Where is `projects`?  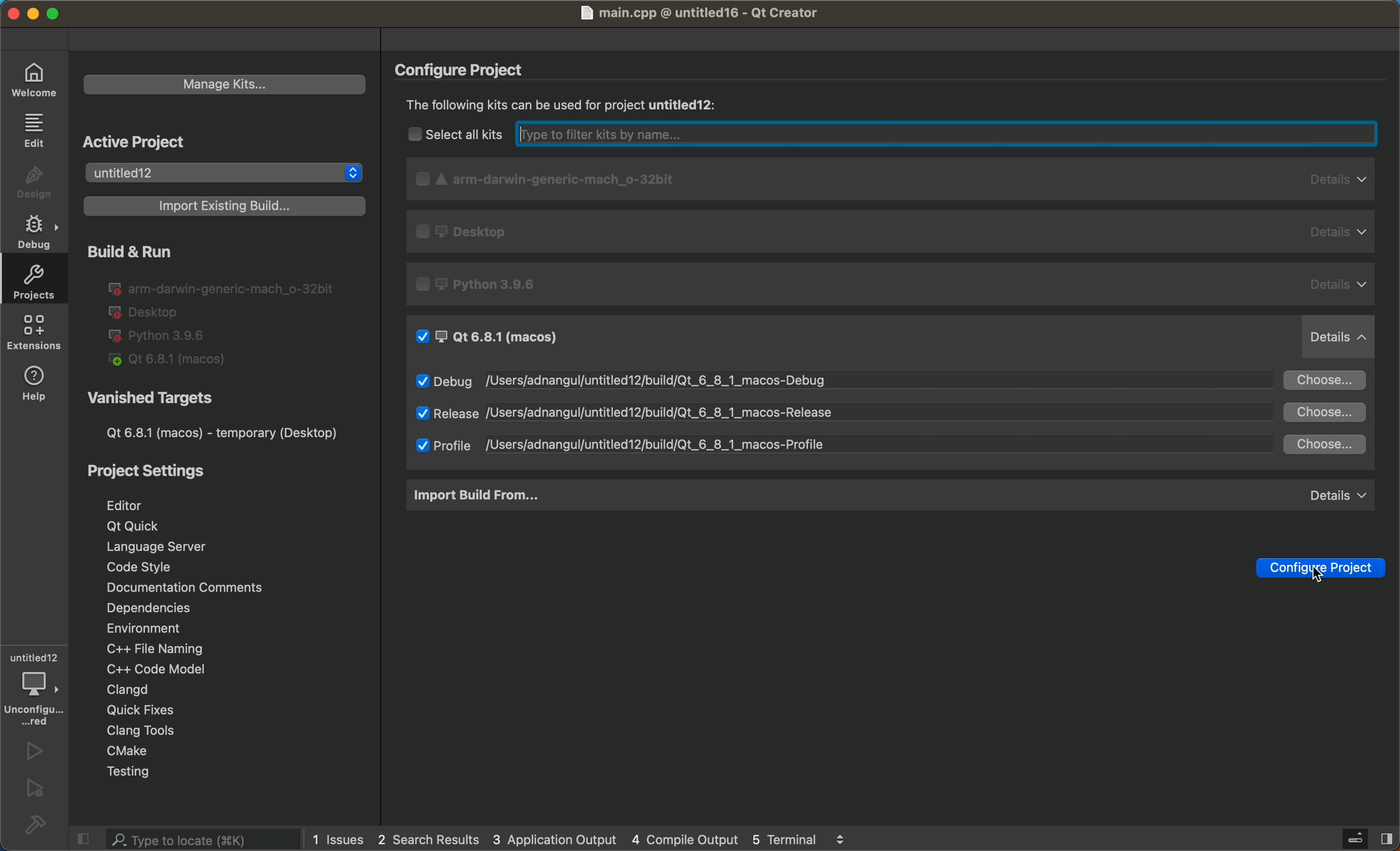
projects is located at coordinates (36, 280).